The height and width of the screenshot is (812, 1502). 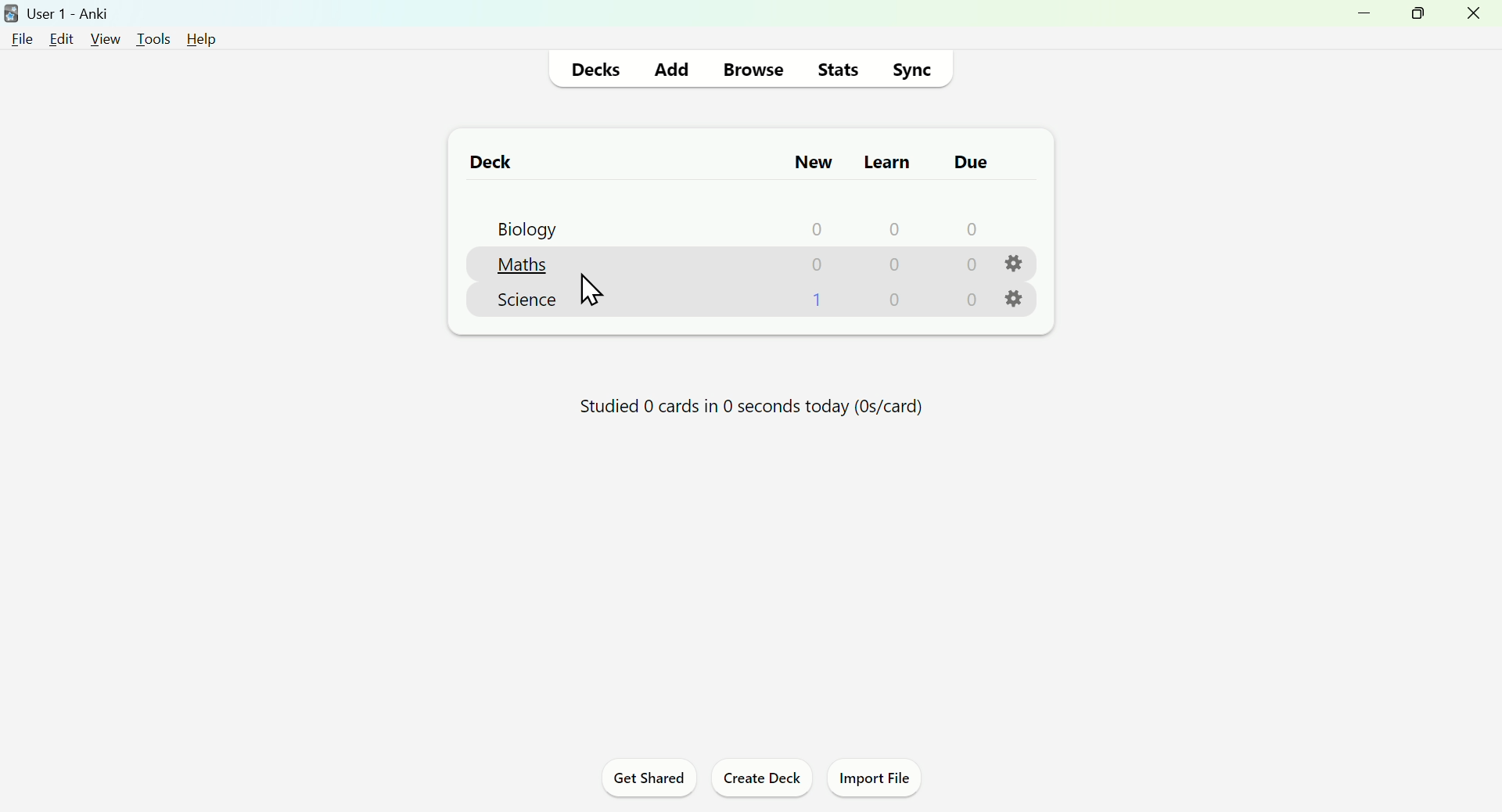 I want to click on Create Deck, so click(x=761, y=781).